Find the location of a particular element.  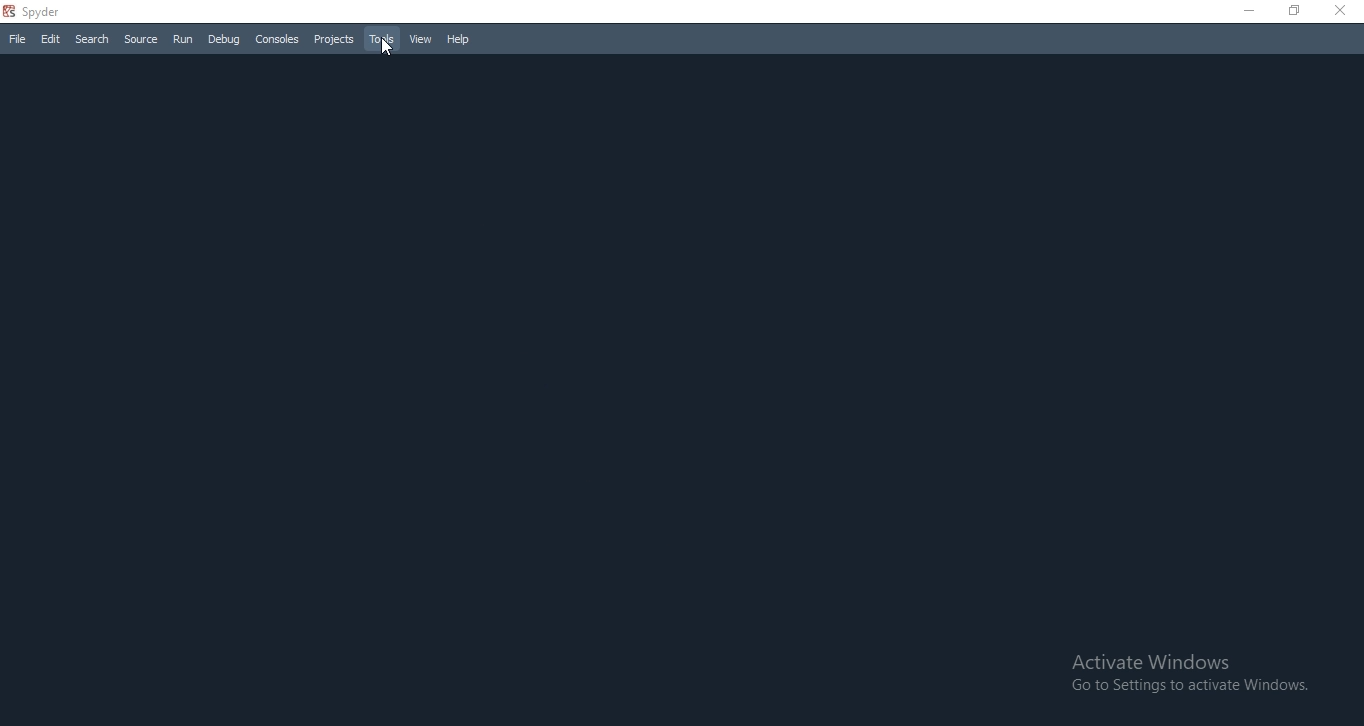

Search is located at coordinates (93, 37).